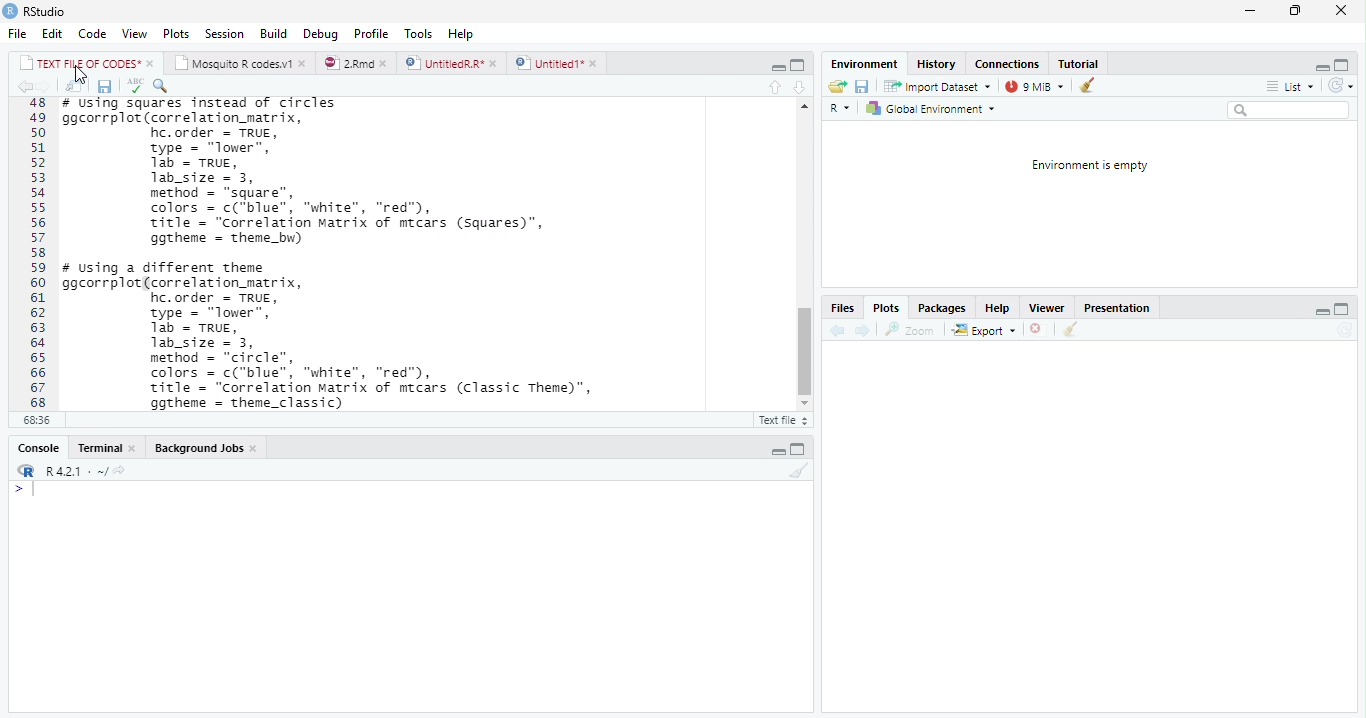 The height and width of the screenshot is (718, 1366). What do you see at coordinates (1036, 87) in the screenshot?
I see `9 mb` at bounding box center [1036, 87].